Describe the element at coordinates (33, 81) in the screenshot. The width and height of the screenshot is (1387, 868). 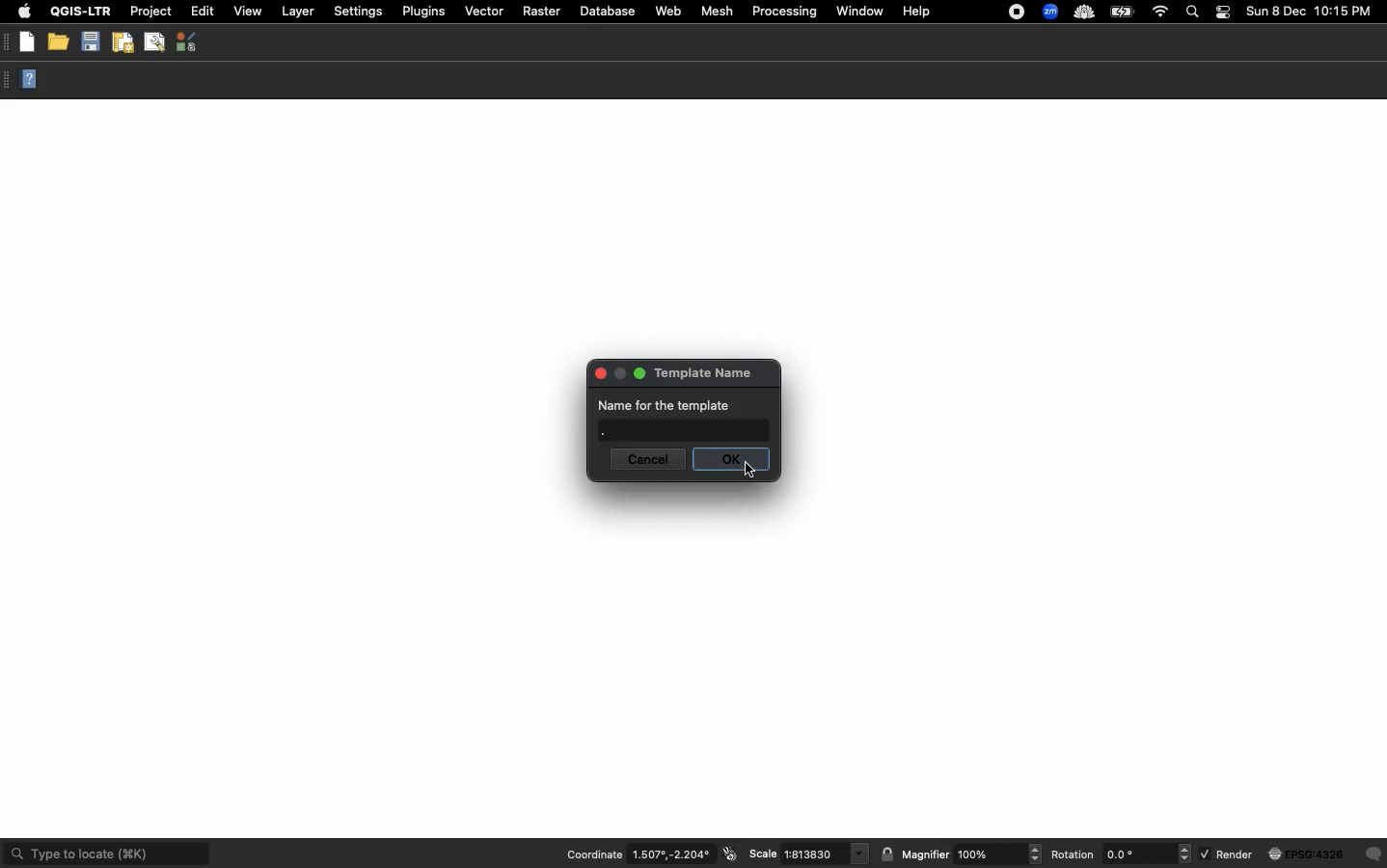
I see `Help` at that location.